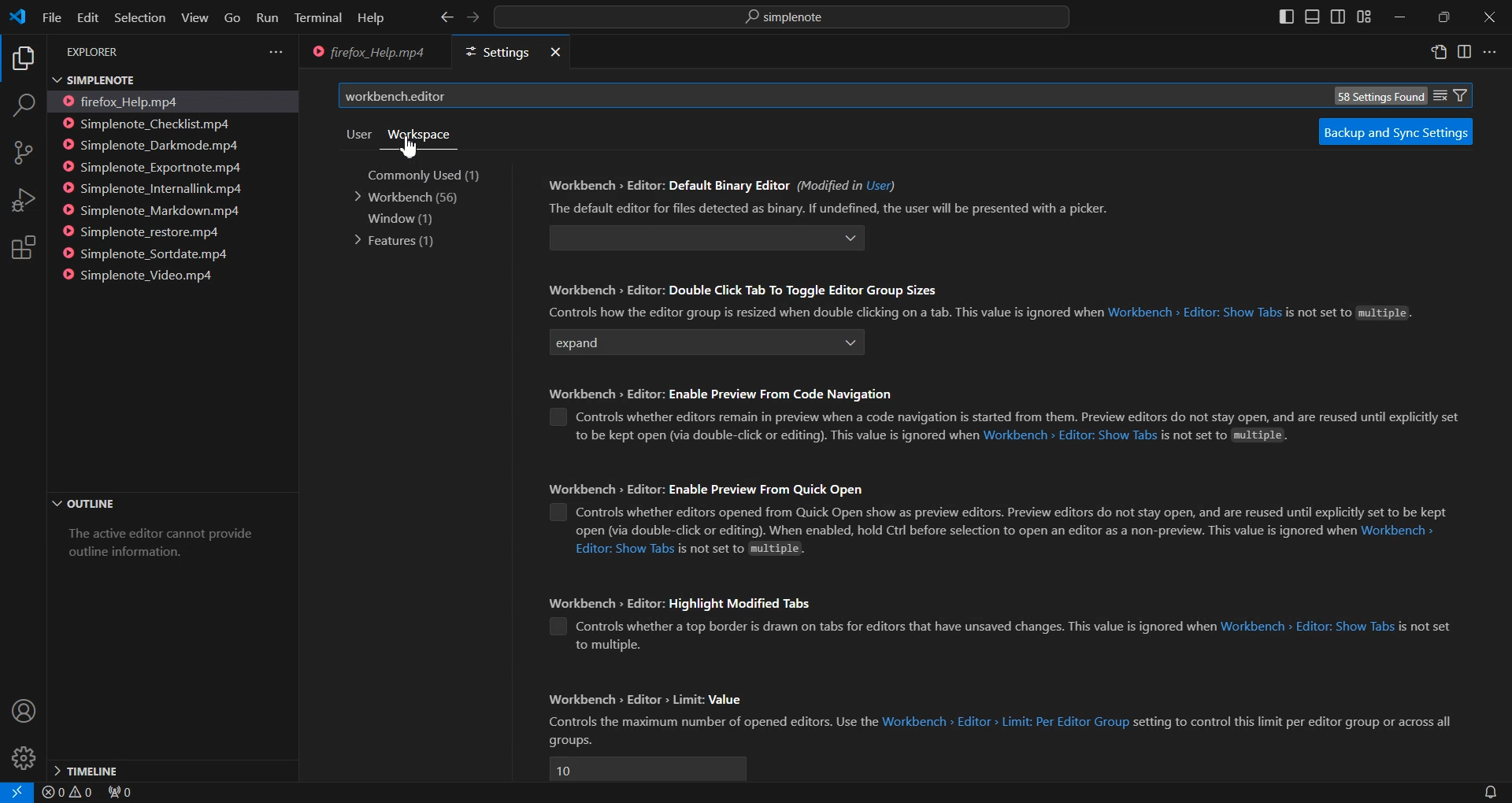 Image resolution: width=1512 pixels, height=803 pixels. What do you see at coordinates (66, 793) in the screenshot?
I see `No Problem` at bounding box center [66, 793].